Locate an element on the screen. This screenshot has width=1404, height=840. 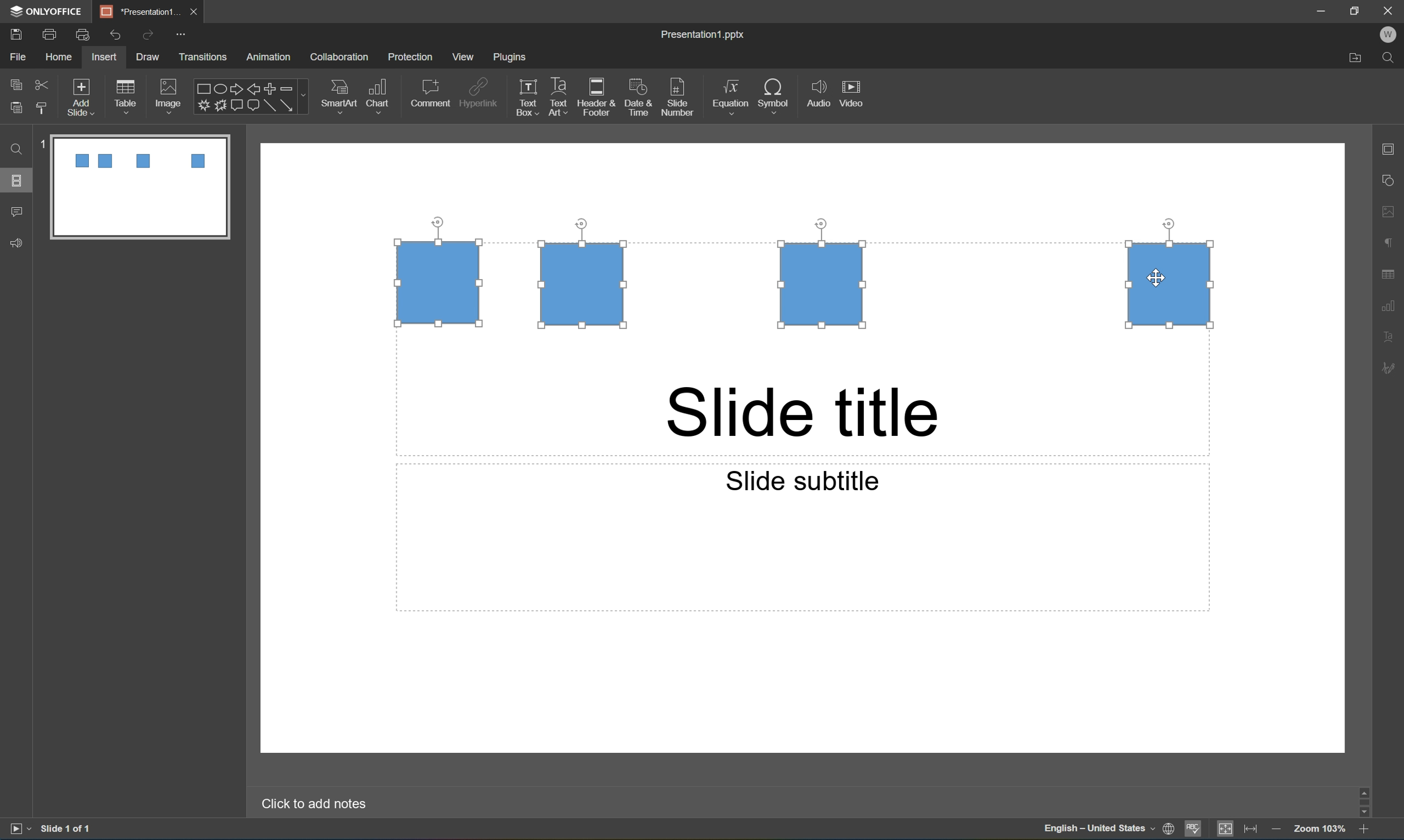
Redo is located at coordinates (148, 36).